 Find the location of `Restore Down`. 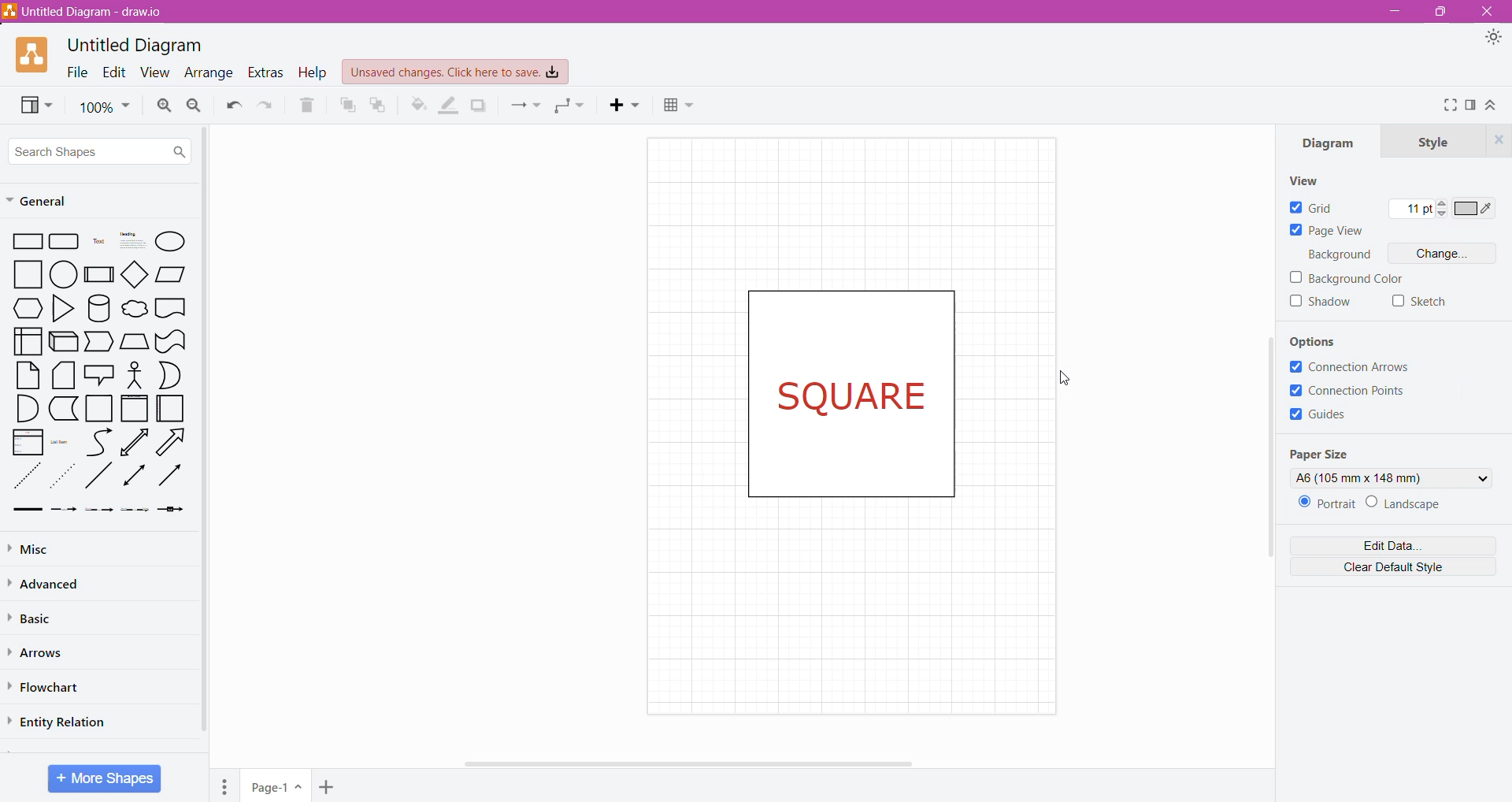

Restore Down is located at coordinates (1437, 13).